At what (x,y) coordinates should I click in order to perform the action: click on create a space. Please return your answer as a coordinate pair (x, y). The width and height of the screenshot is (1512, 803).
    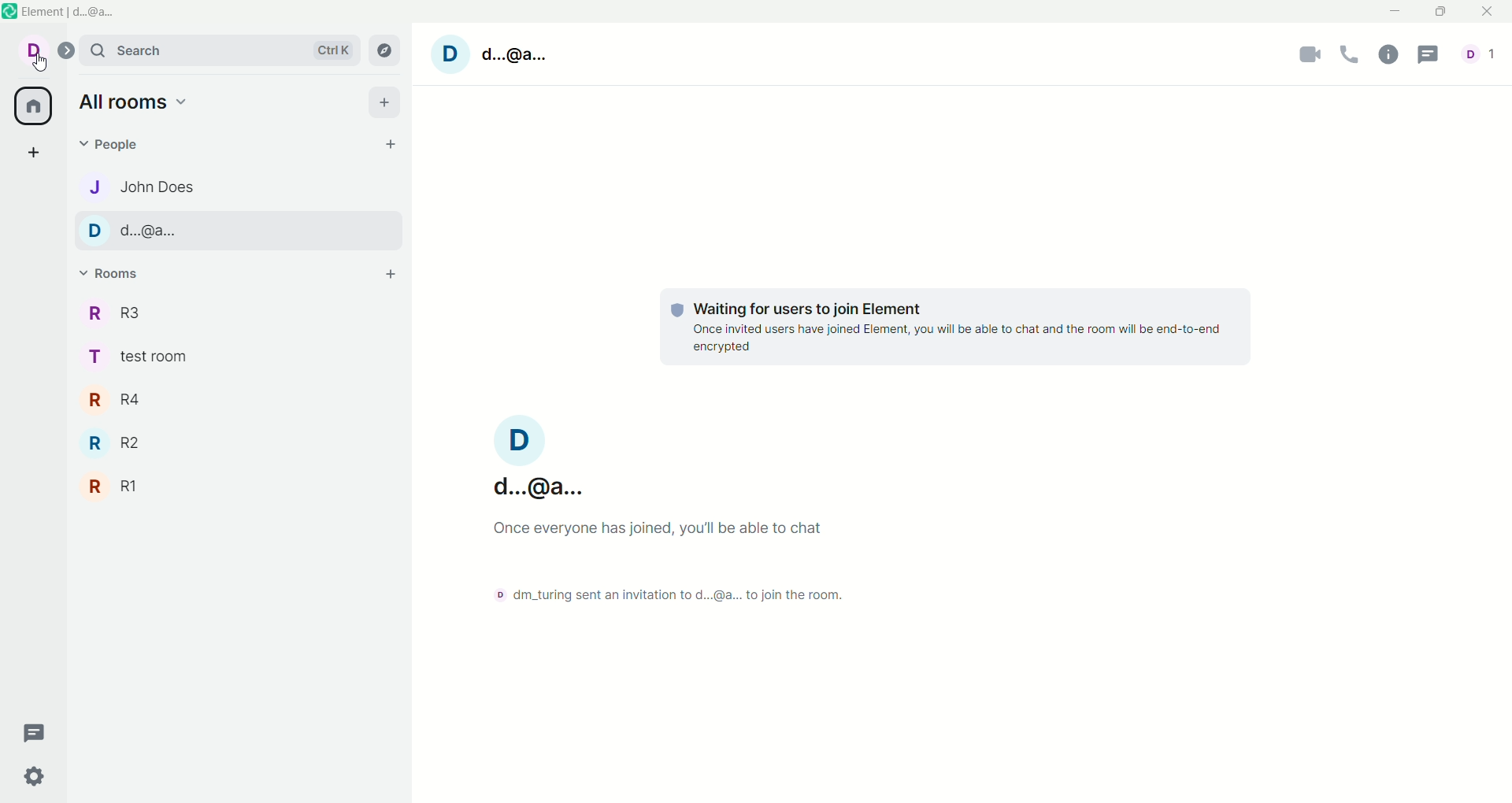
    Looking at the image, I should click on (39, 154).